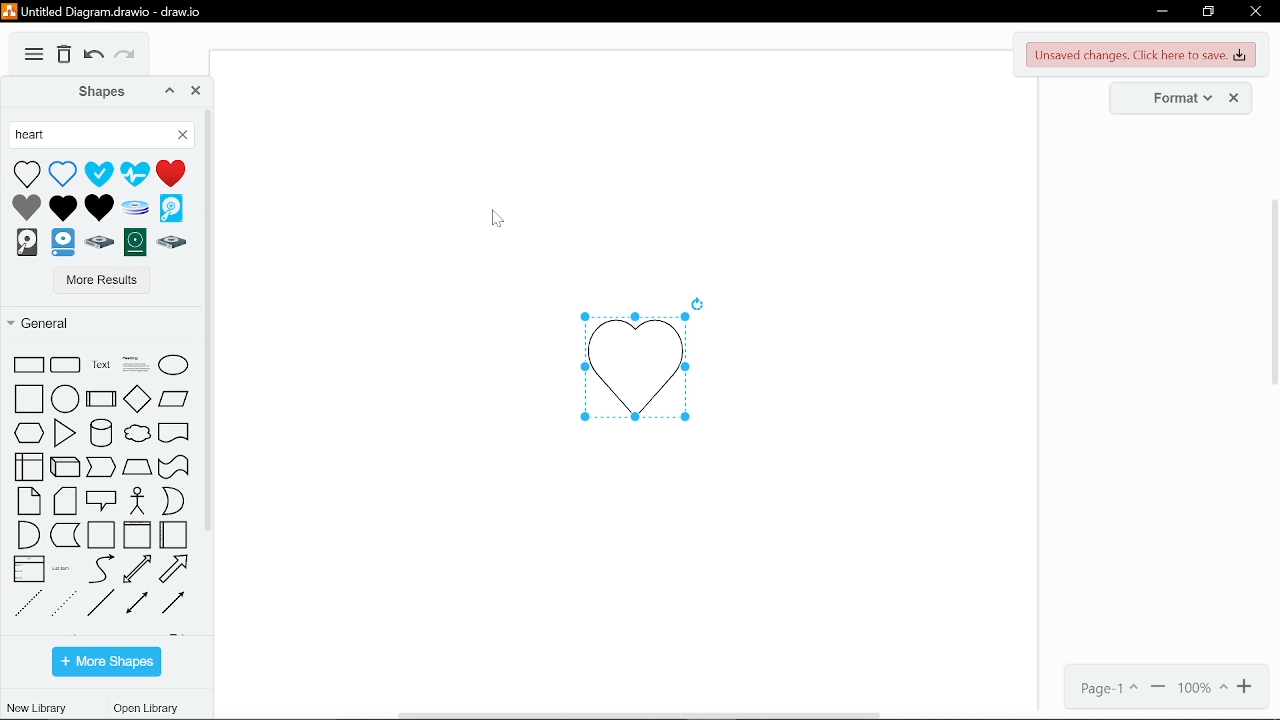 Image resolution: width=1280 pixels, height=720 pixels. I want to click on square, so click(27, 399).